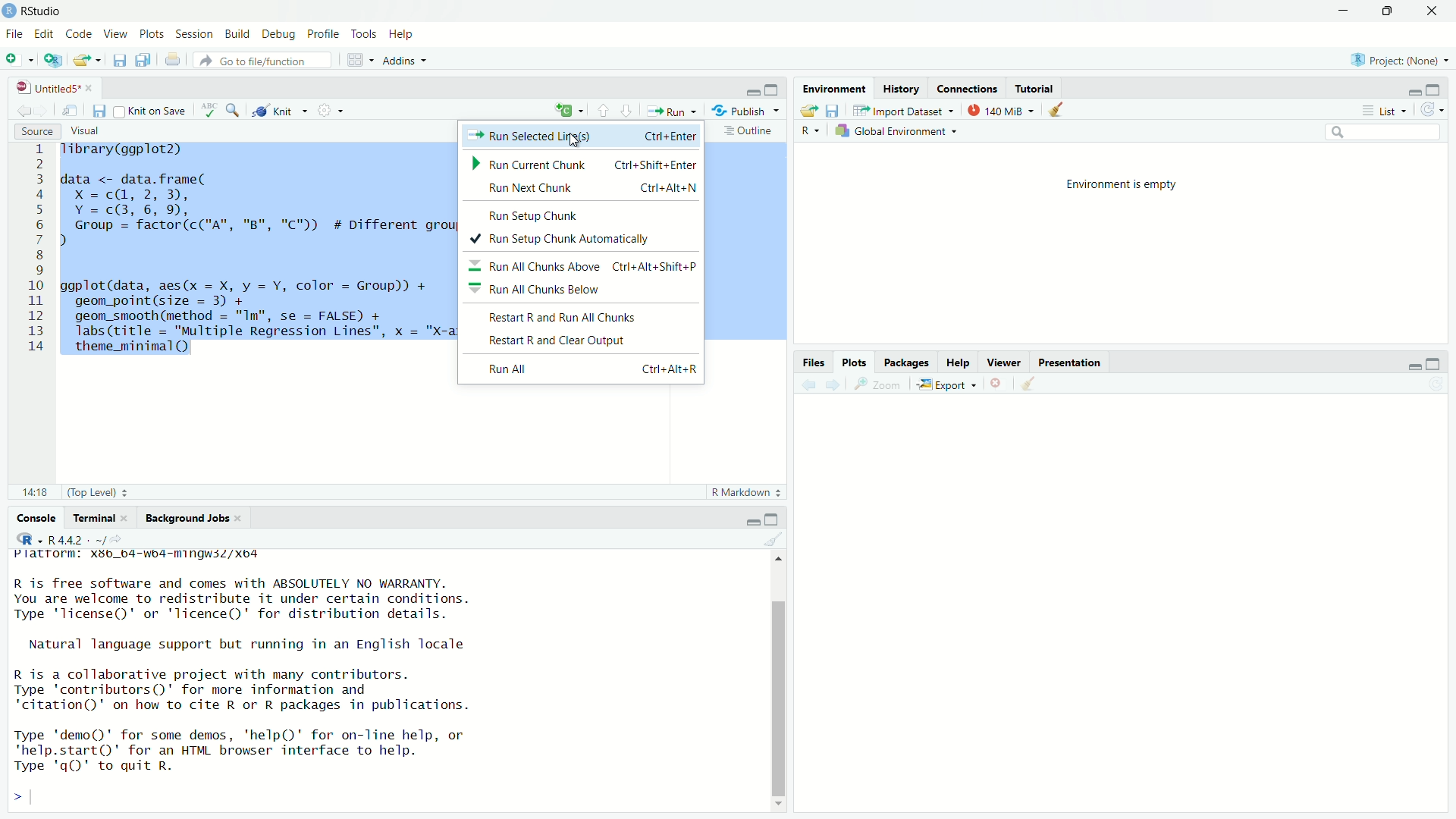  Describe the element at coordinates (999, 110) in the screenshot. I see `140 MiB =` at that location.